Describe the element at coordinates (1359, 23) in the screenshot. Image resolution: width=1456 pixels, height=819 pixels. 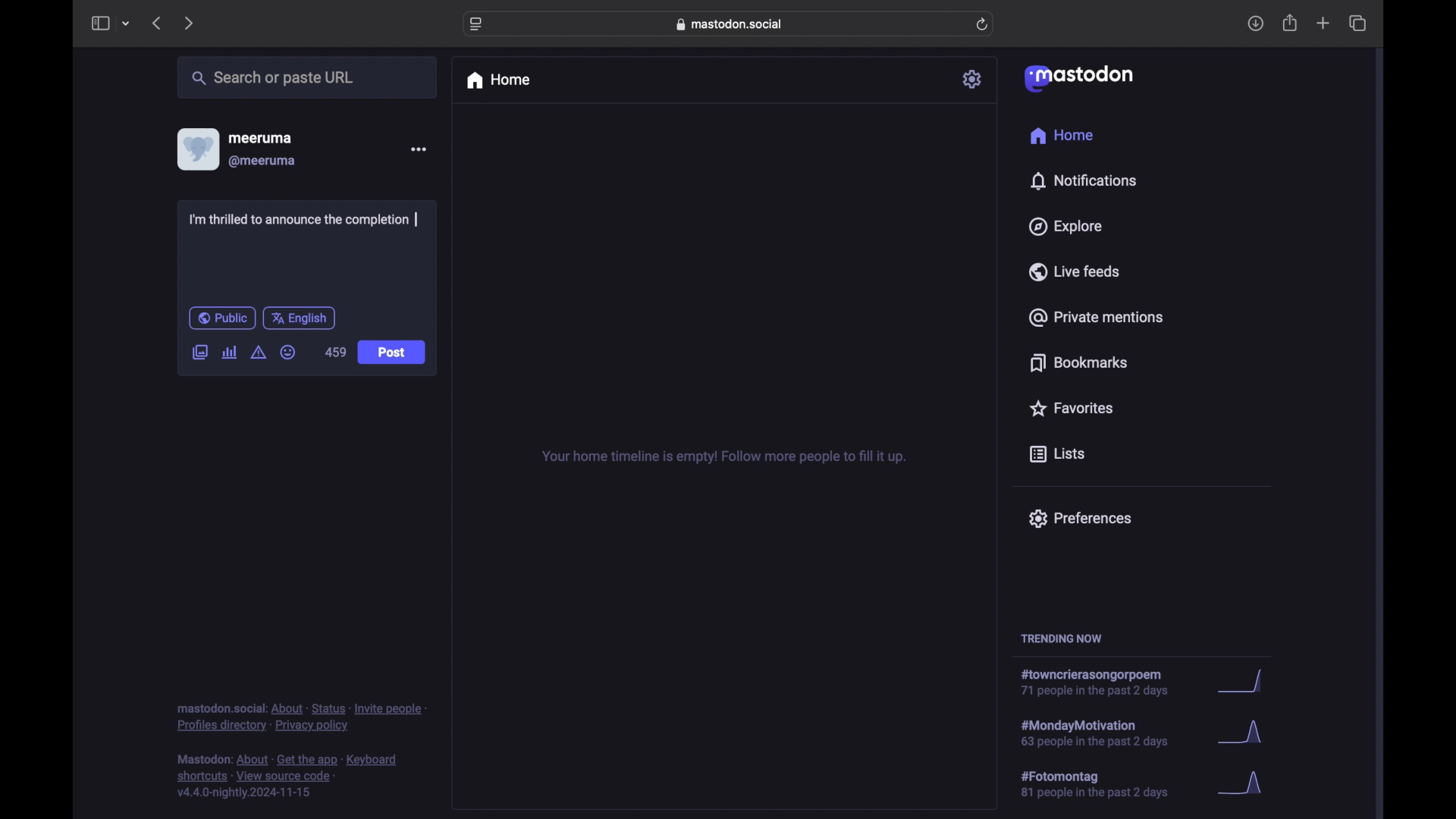
I see `show tab overview` at that location.